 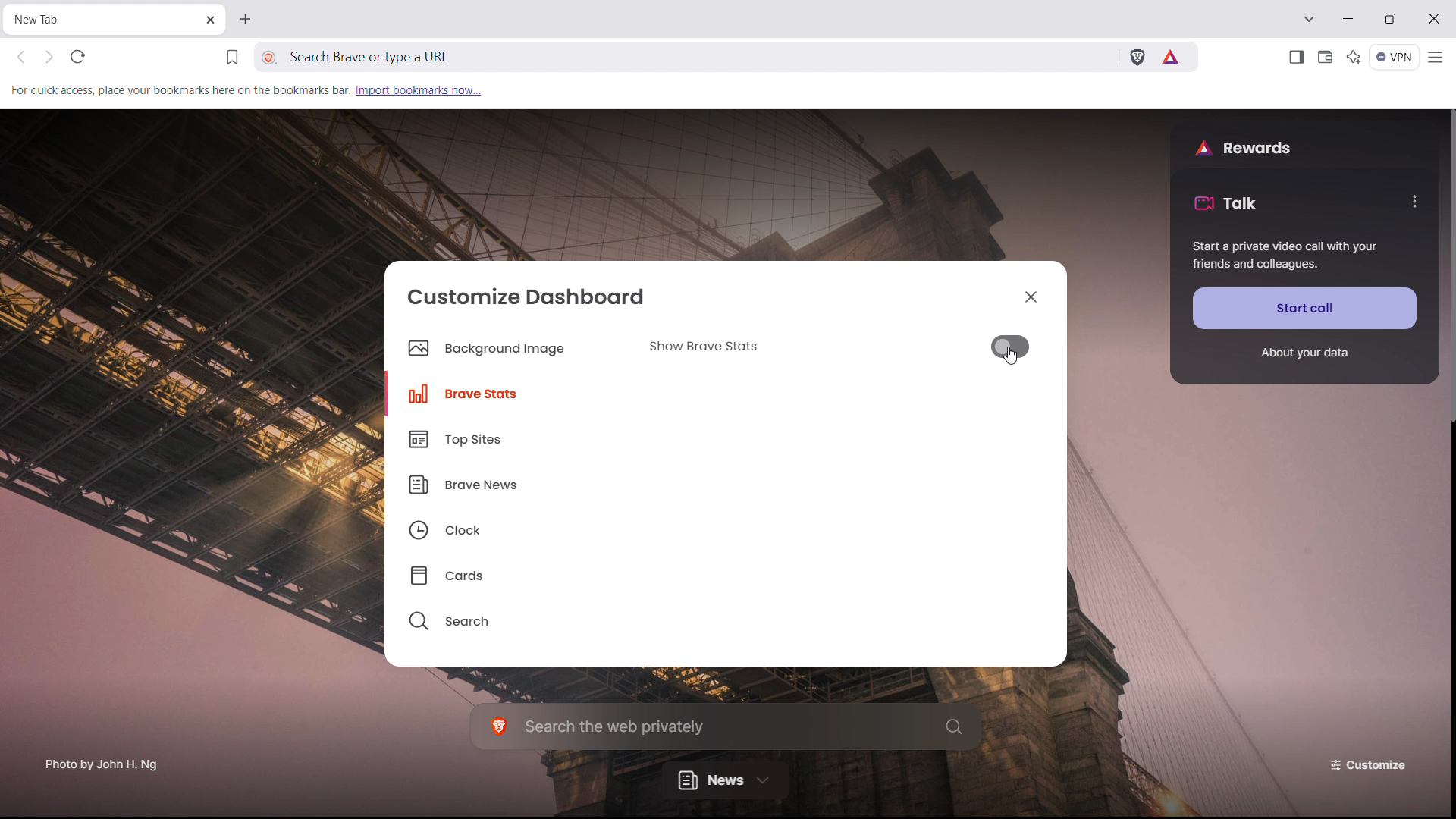 What do you see at coordinates (1137, 55) in the screenshot?
I see `brave shields` at bounding box center [1137, 55].